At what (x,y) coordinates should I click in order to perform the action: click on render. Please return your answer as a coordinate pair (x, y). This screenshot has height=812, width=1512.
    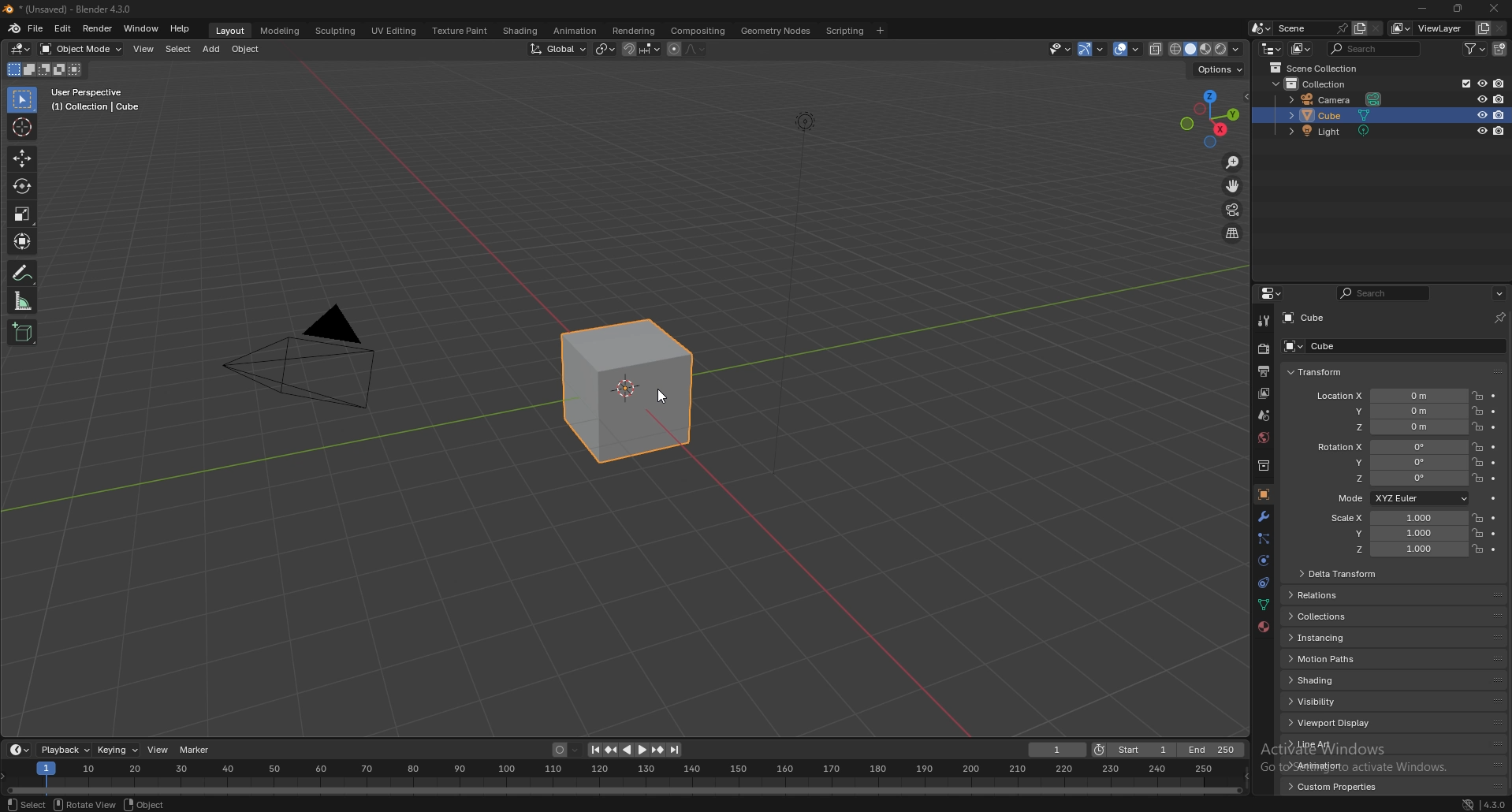
    Looking at the image, I should click on (99, 29).